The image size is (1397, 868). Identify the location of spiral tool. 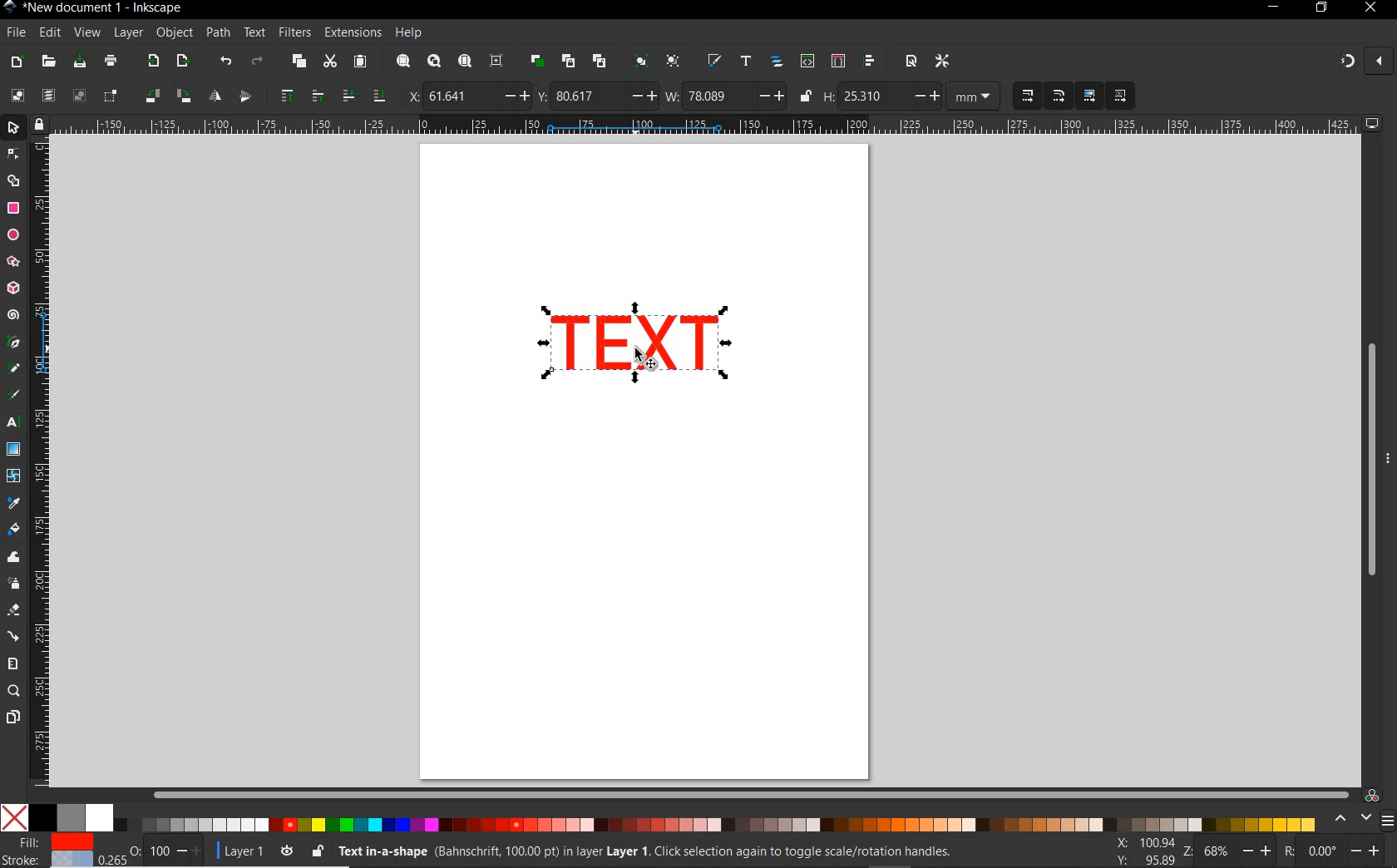
(13, 317).